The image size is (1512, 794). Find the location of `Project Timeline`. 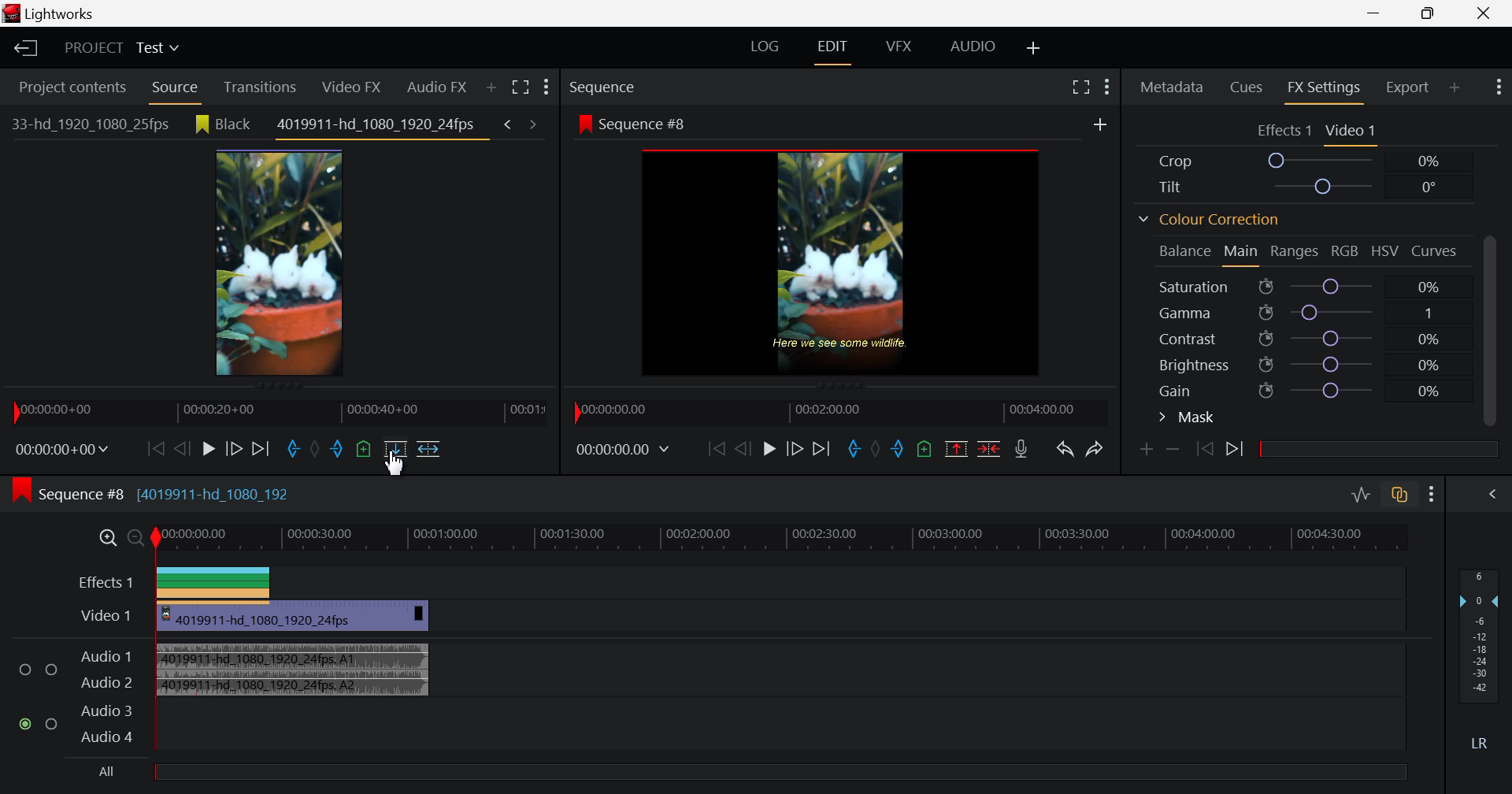

Project Timeline is located at coordinates (783, 540).